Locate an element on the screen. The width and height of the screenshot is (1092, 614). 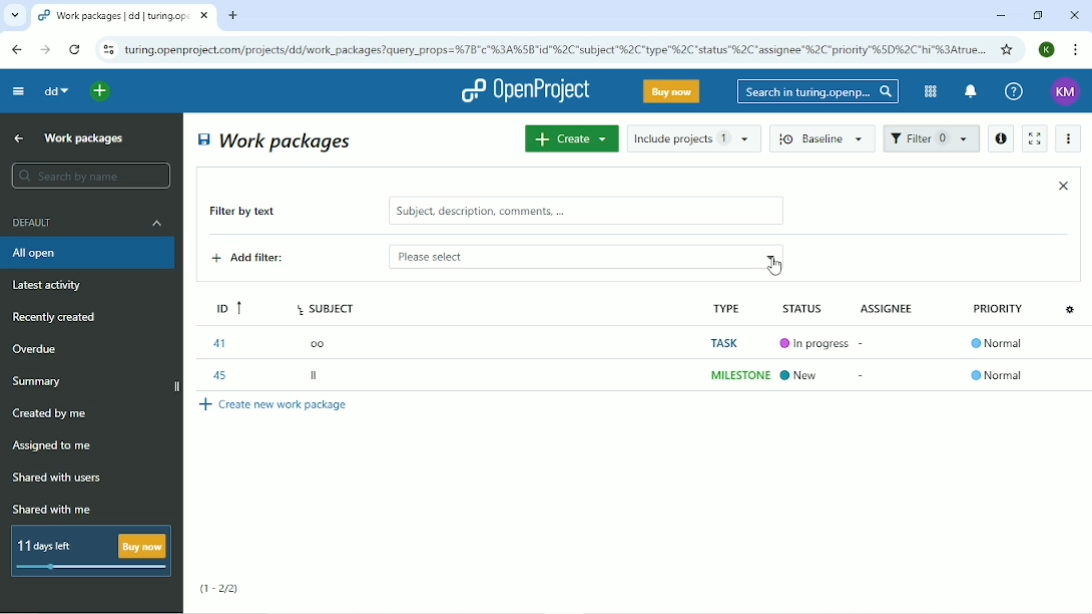
Subject is located at coordinates (328, 305).